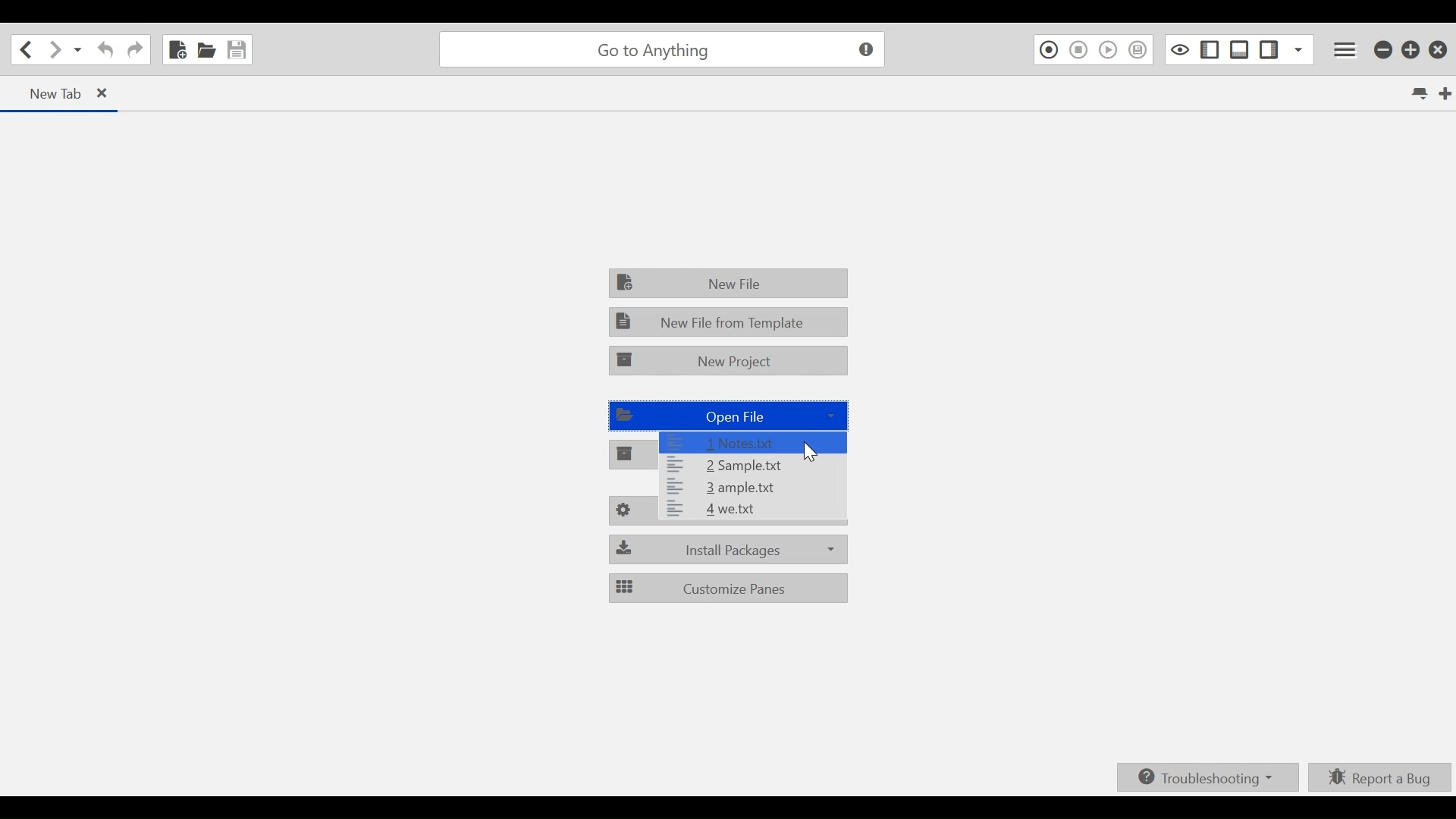 The width and height of the screenshot is (1456, 819). What do you see at coordinates (811, 452) in the screenshot?
I see `Cursor` at bounding box center [811, 452].